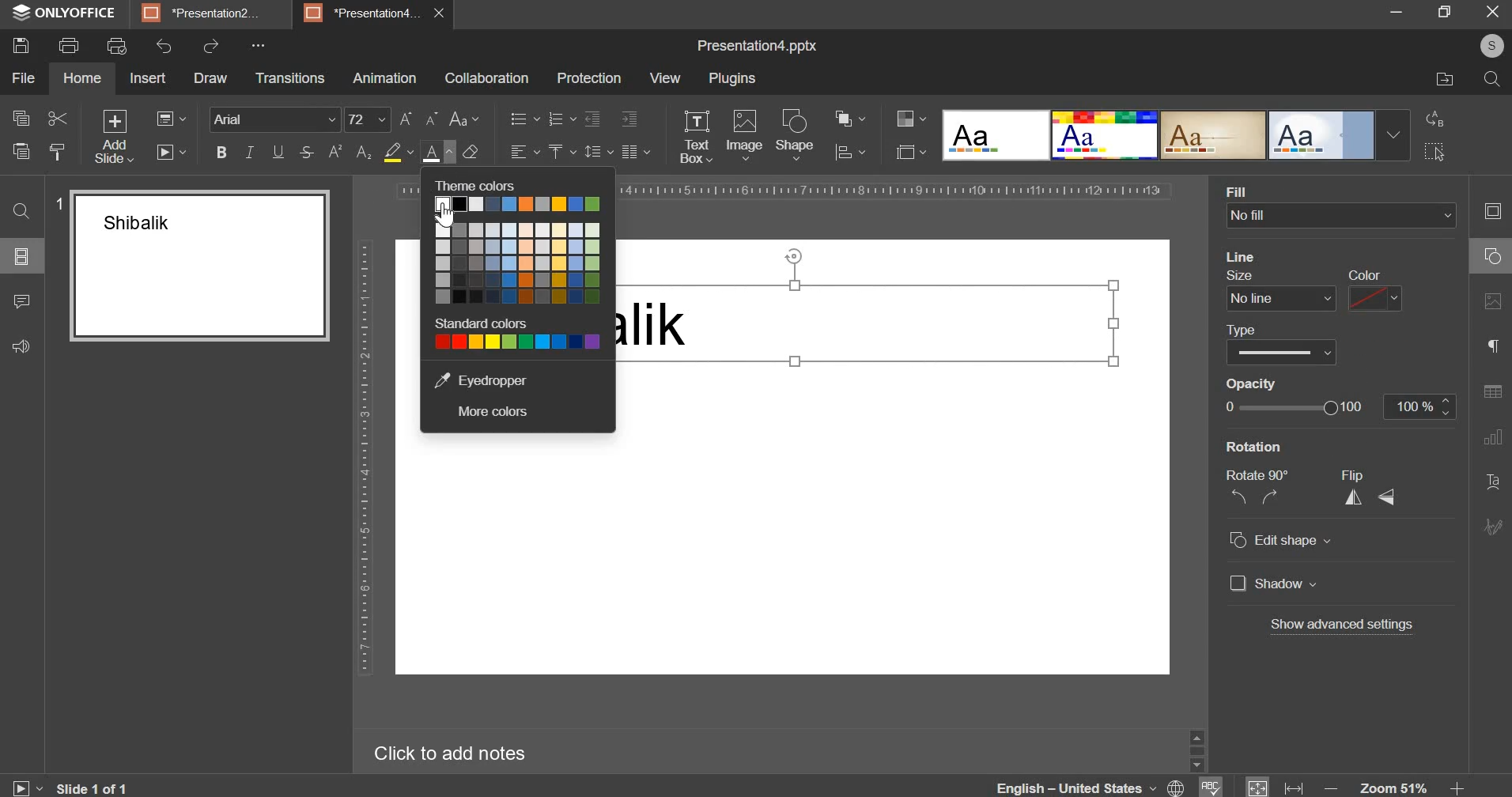 The image size is (1512, 797). What do you see at coordinates (911, 118) in the screenshot?
I see `change color themes` at bounding box center [911, 118].